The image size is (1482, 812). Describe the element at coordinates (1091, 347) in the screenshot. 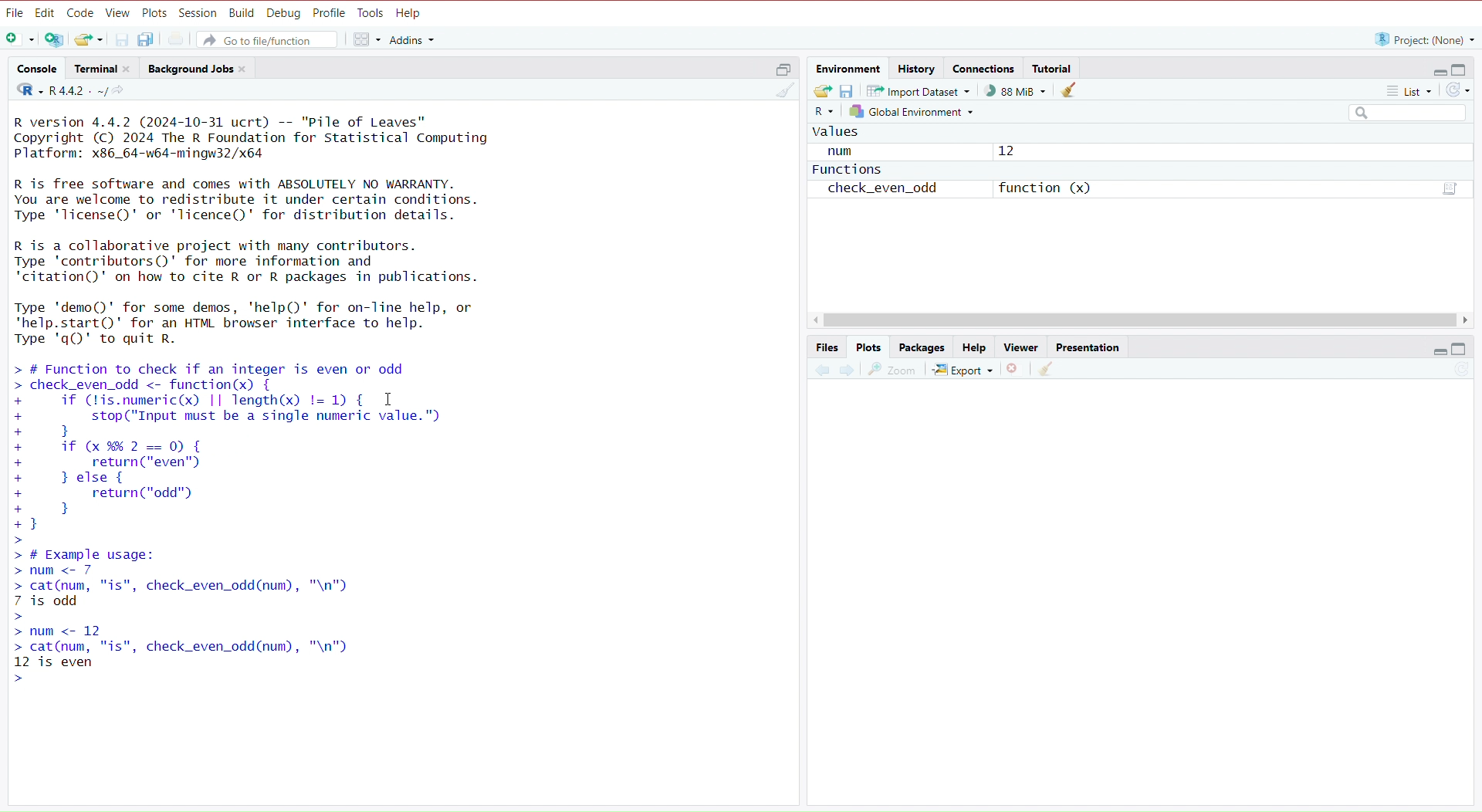

I see `presentation` at that location.